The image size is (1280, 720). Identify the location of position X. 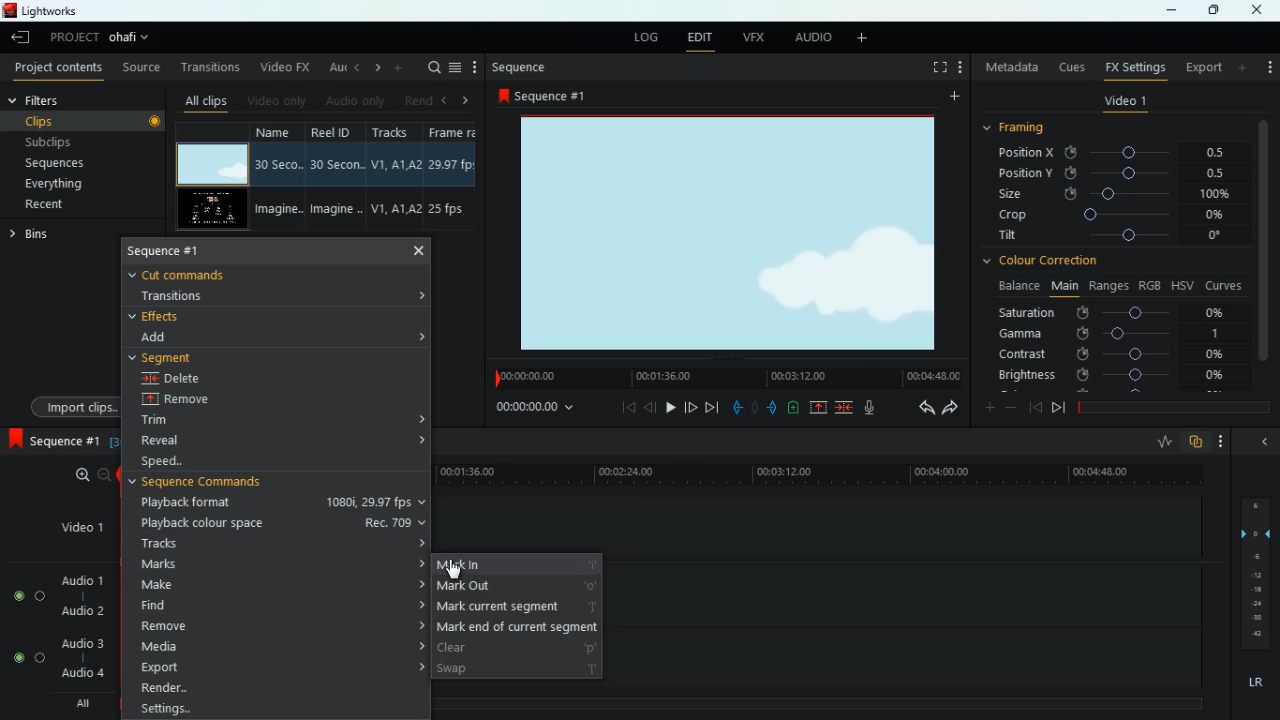
(1109, 153).